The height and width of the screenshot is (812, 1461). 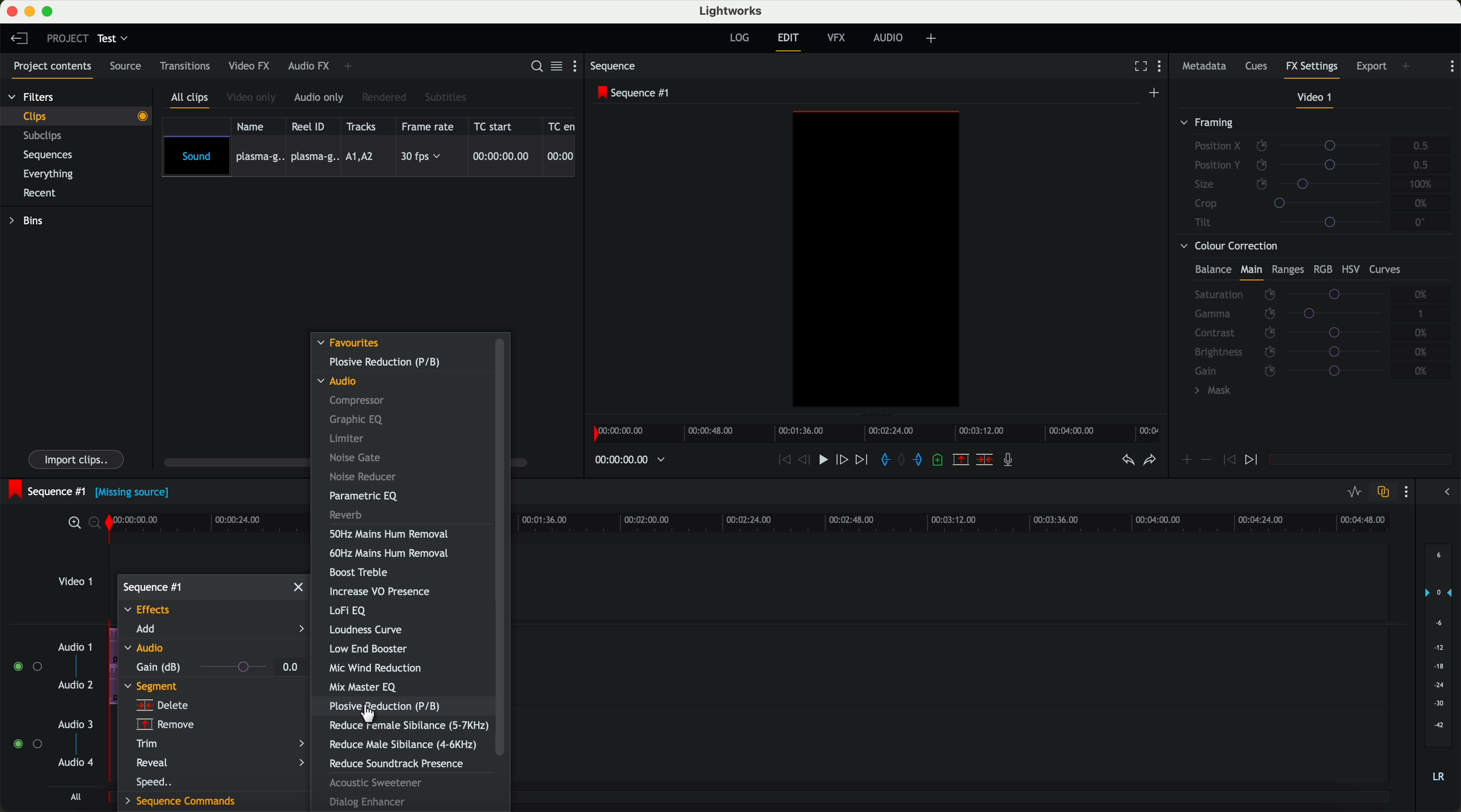 What do you see at coordinates (308, 66) in the screenshot?
I see `audio FX` at bounding box center [308, 66].